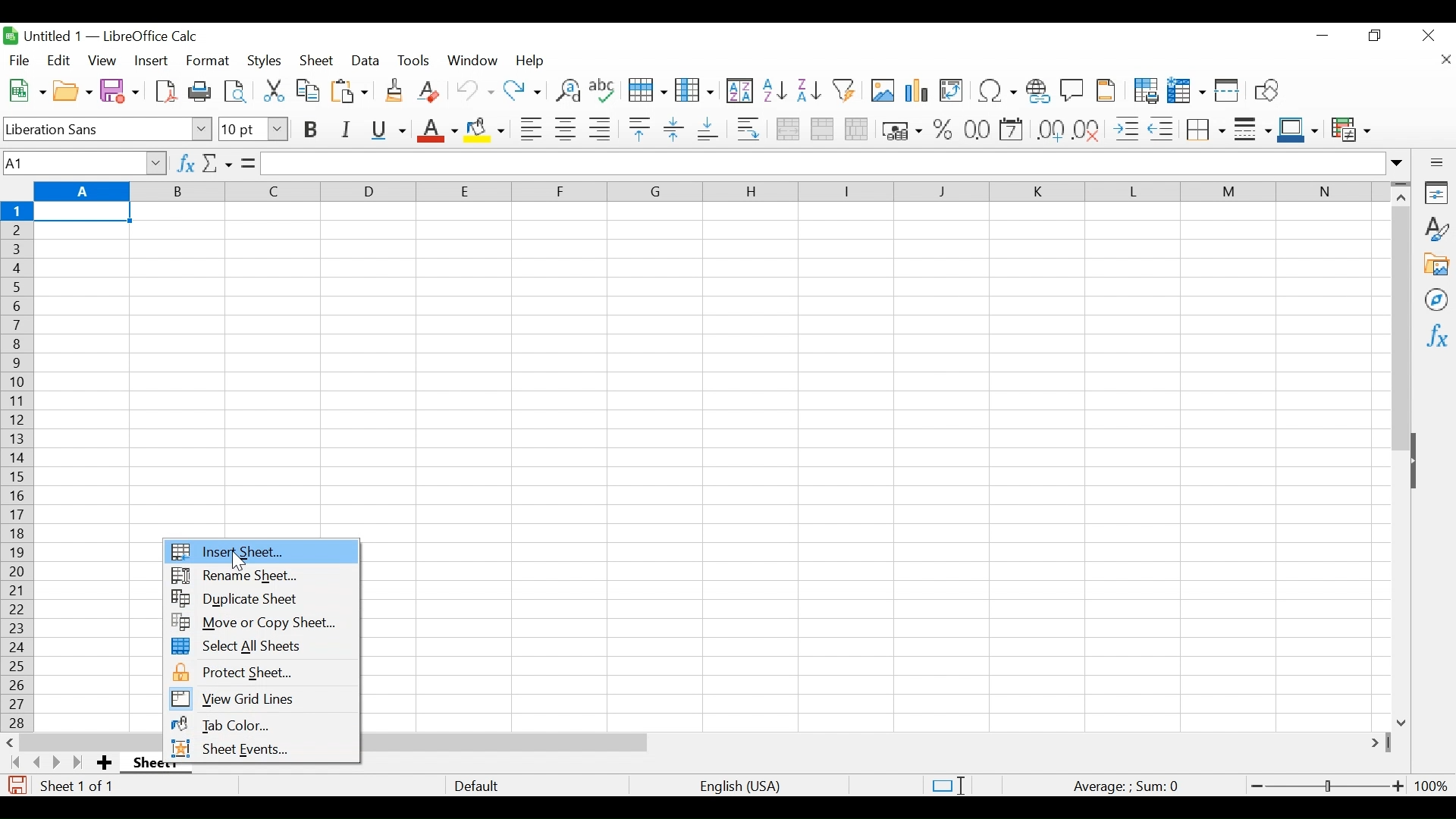 The image size is (1456, 819). Describe the element at coordinates (1436, 227) in the screenshot. I see `Styles` at that location.